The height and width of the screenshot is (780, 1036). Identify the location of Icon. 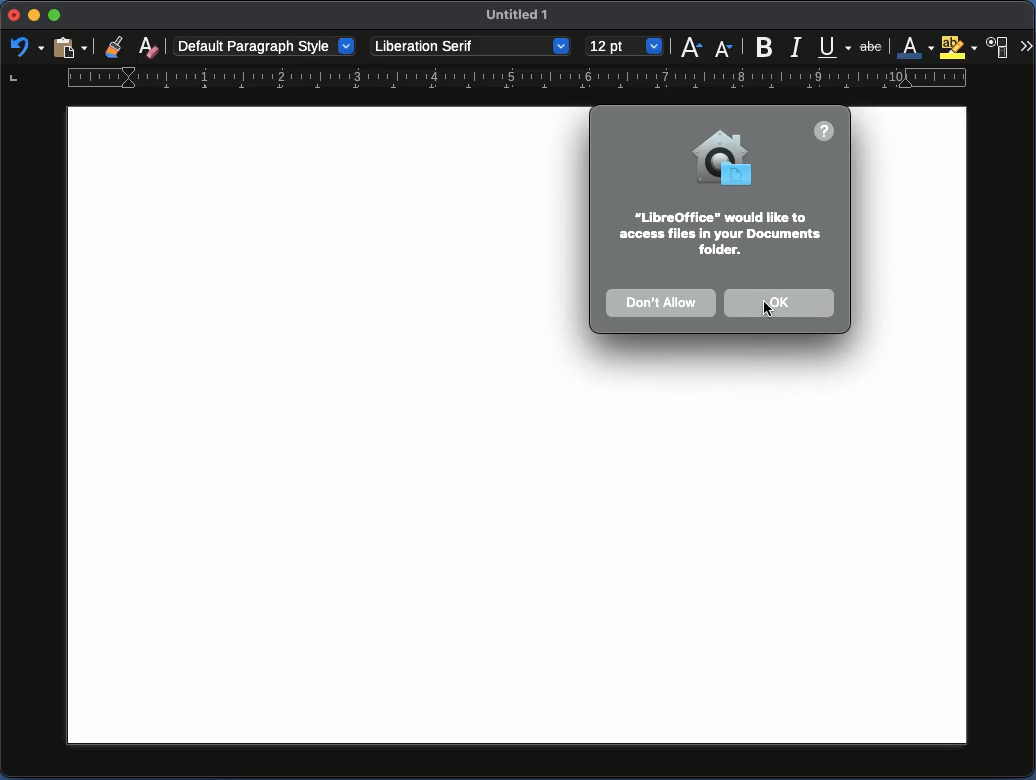
(725, 157).